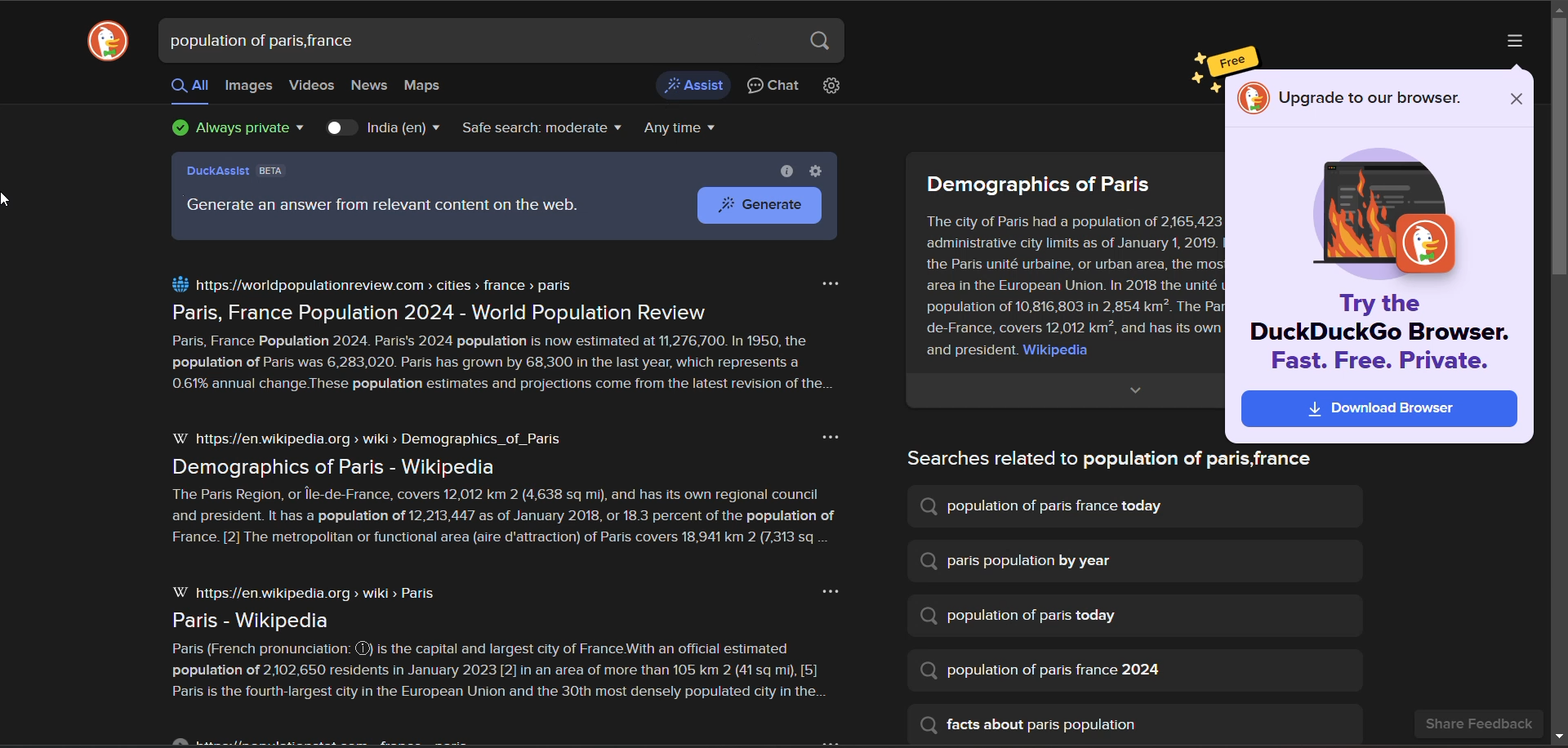  What do you see at coordinates (370, 439) in the screenshot?
I see `W https:/en.wikipedia.org > wiki > Demographics_of_Paris` at bounding box center [370, 439].